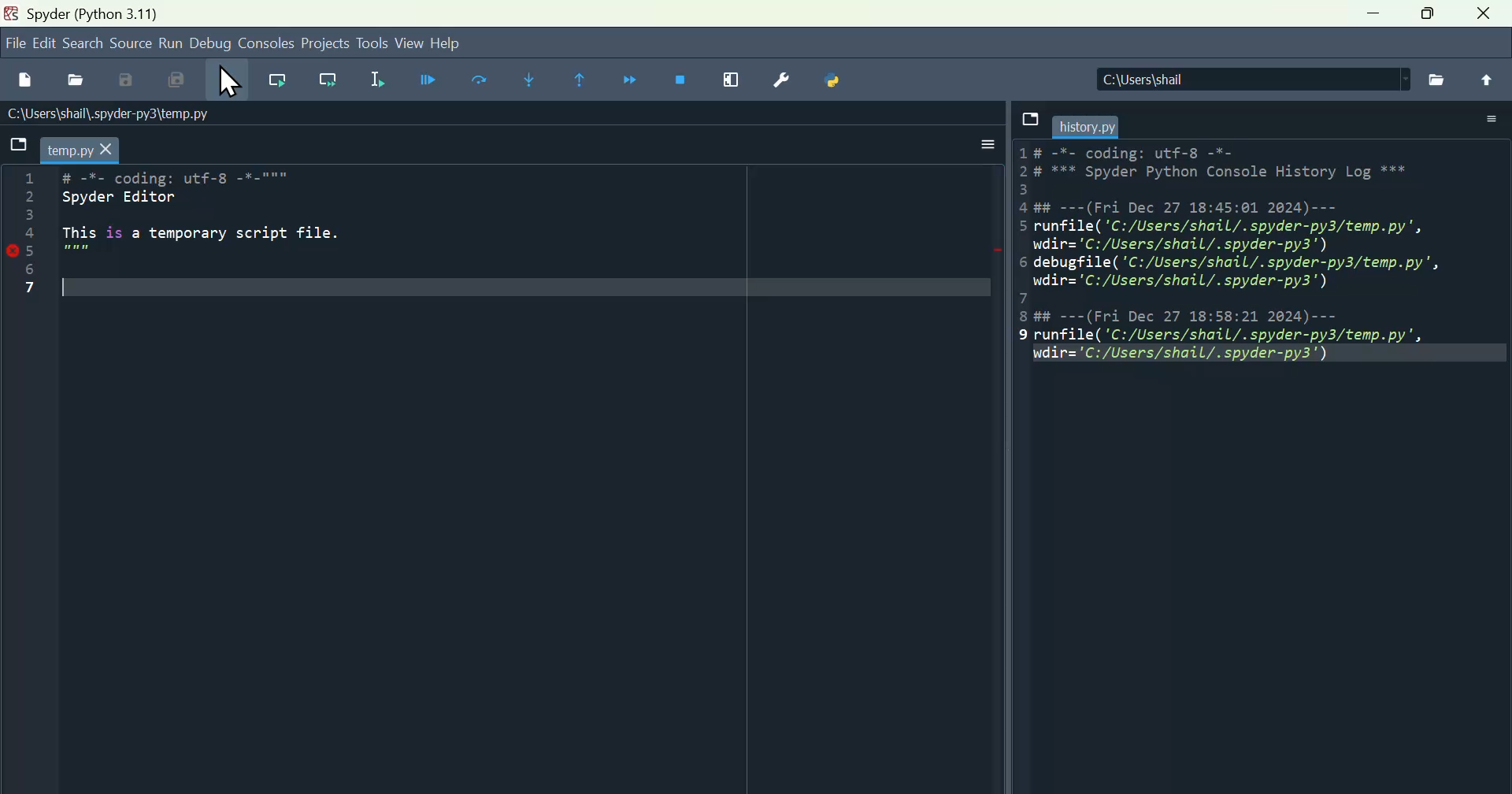 This screenshot has width=1512, height=794. I want to click on More options, so click(1492, 115).